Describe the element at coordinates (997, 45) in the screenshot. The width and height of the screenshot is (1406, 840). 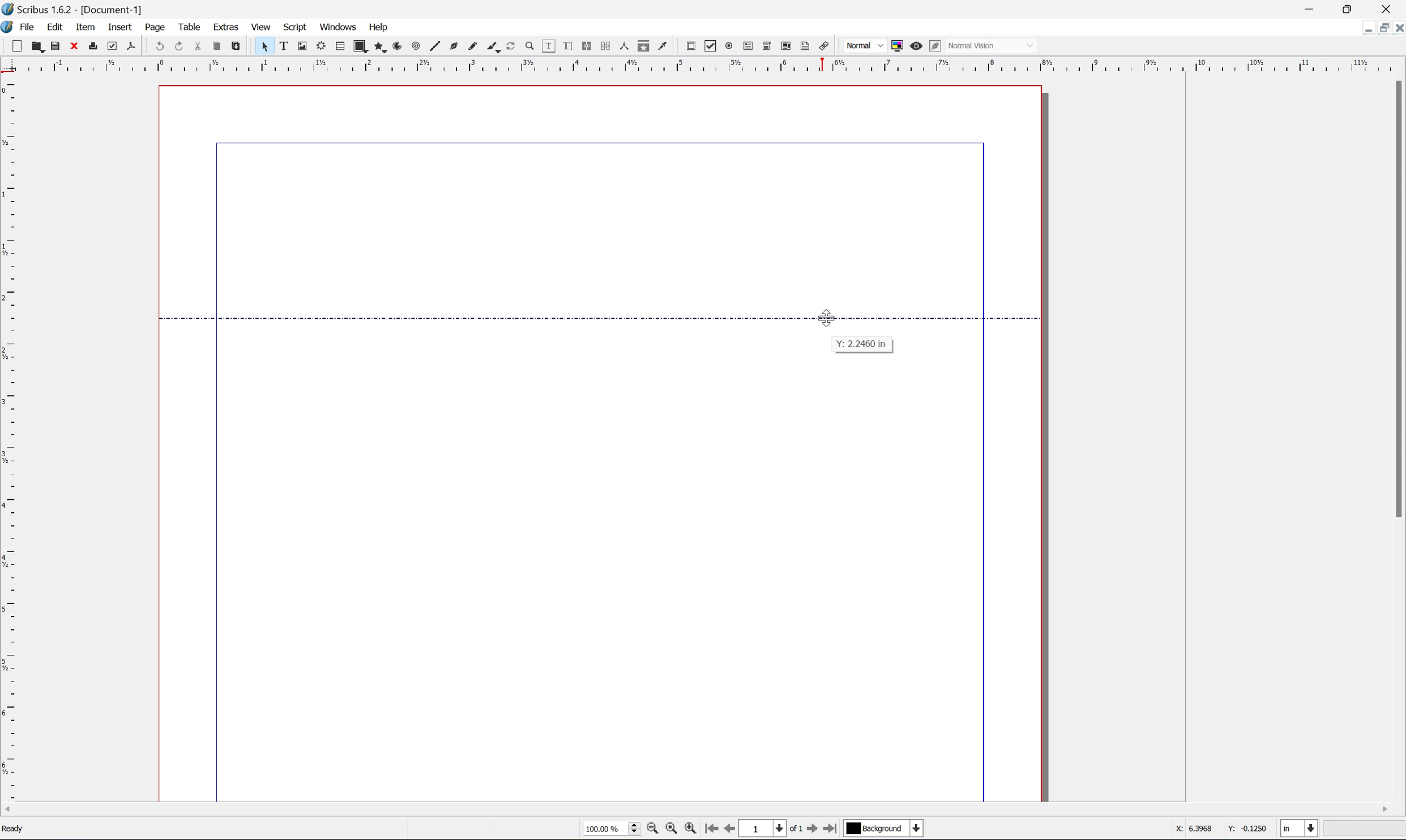
I see `Normal Vision` at that location.